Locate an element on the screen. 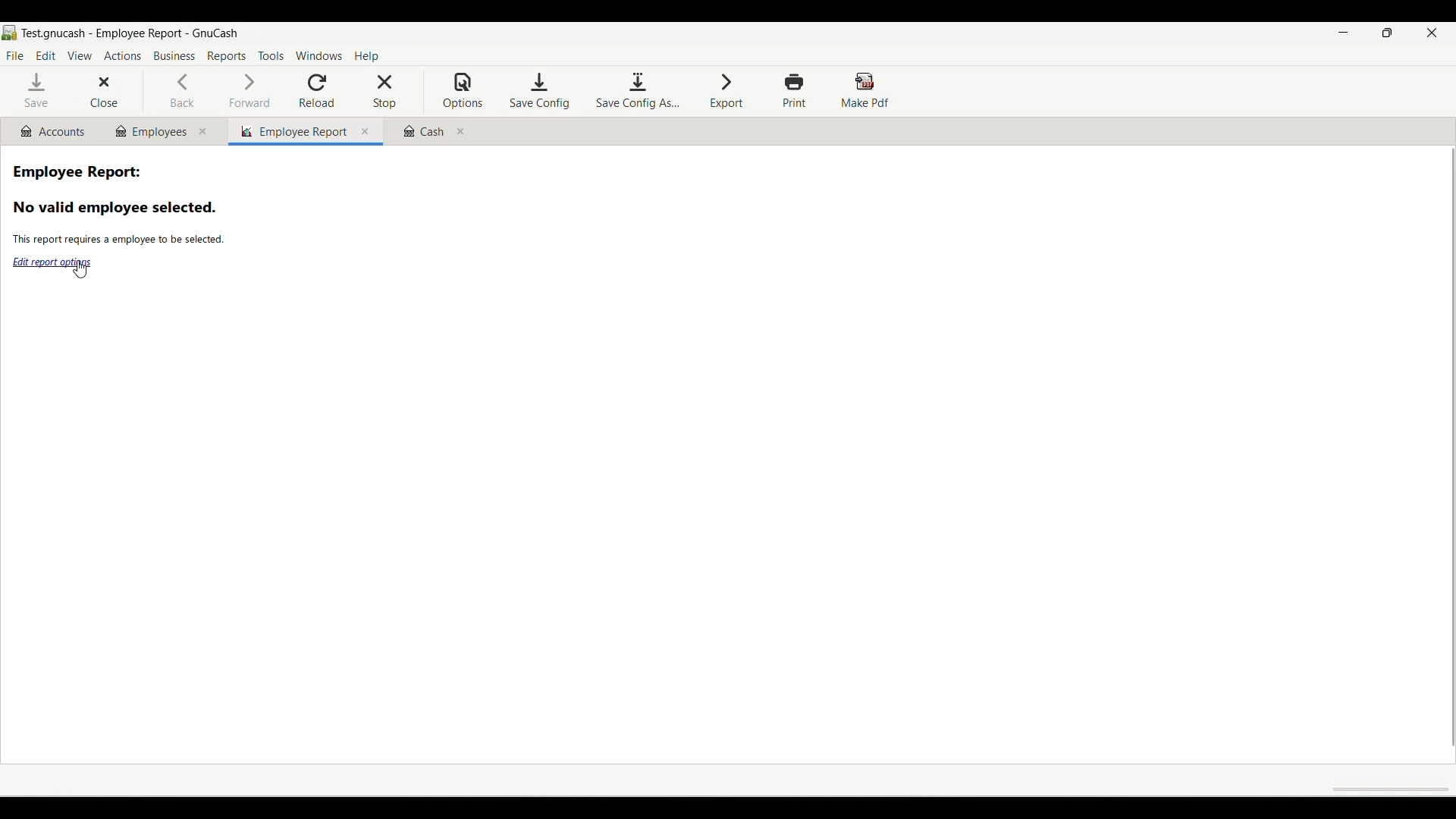 Image resolution: width=1456 pixels, height=819 pixels. File is located at coordinates (14, 55).